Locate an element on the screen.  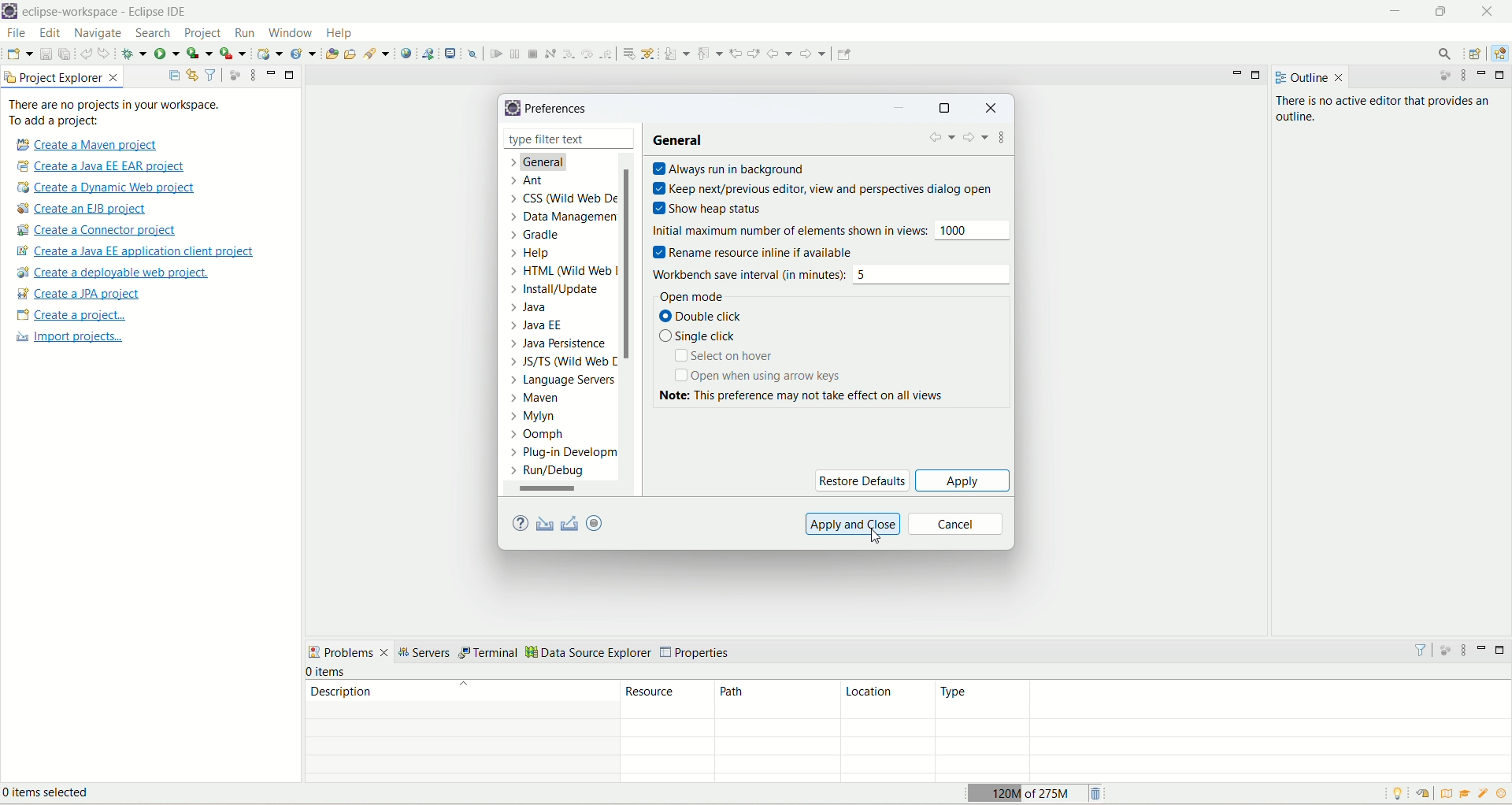
Java EE is located at coordinates (1498, 56).